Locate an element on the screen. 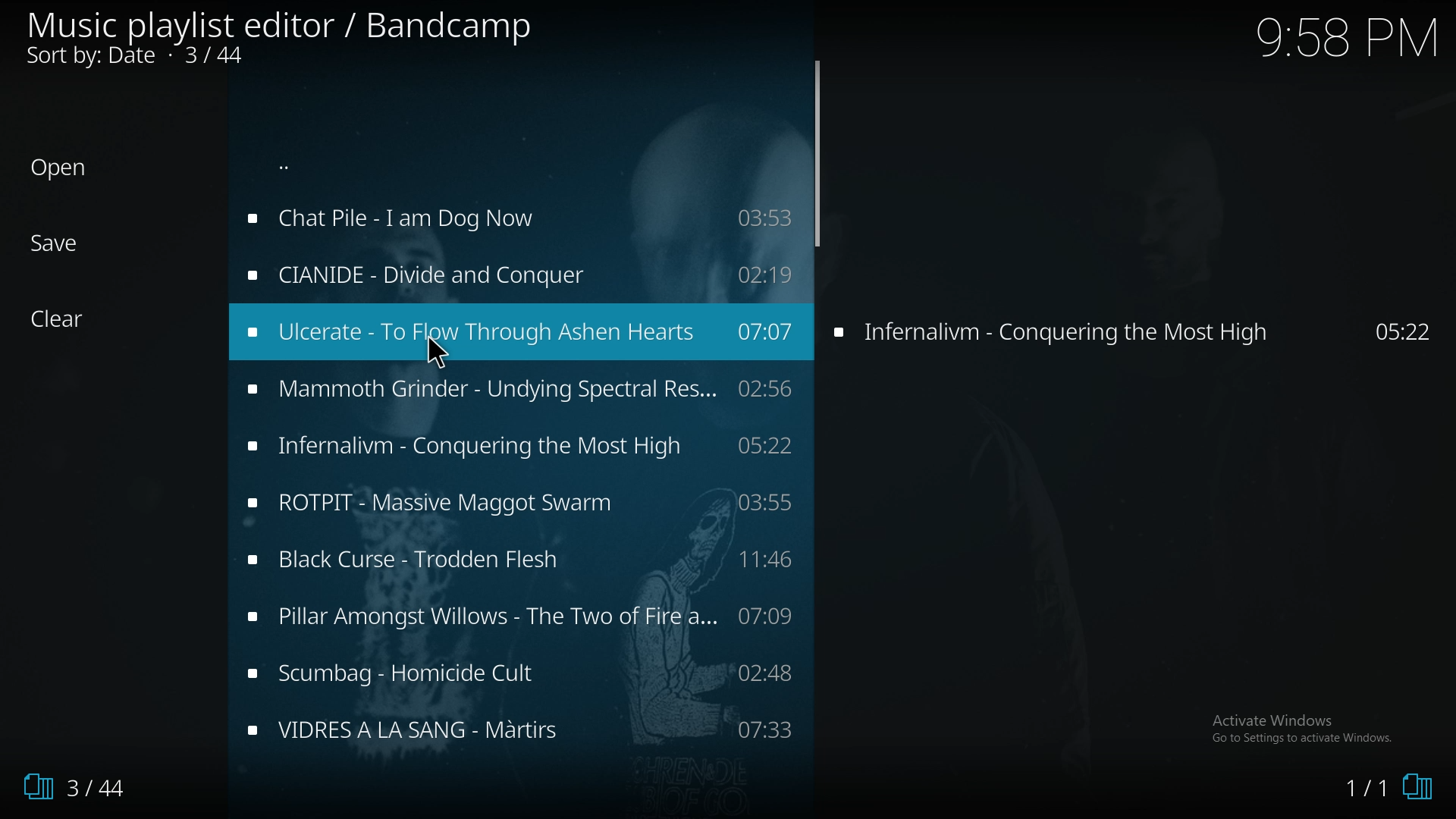 This screenshot has height=819, width=1456. Infernalivm - Conquering the Most High 05:22 is located at coordinates (520, 445).